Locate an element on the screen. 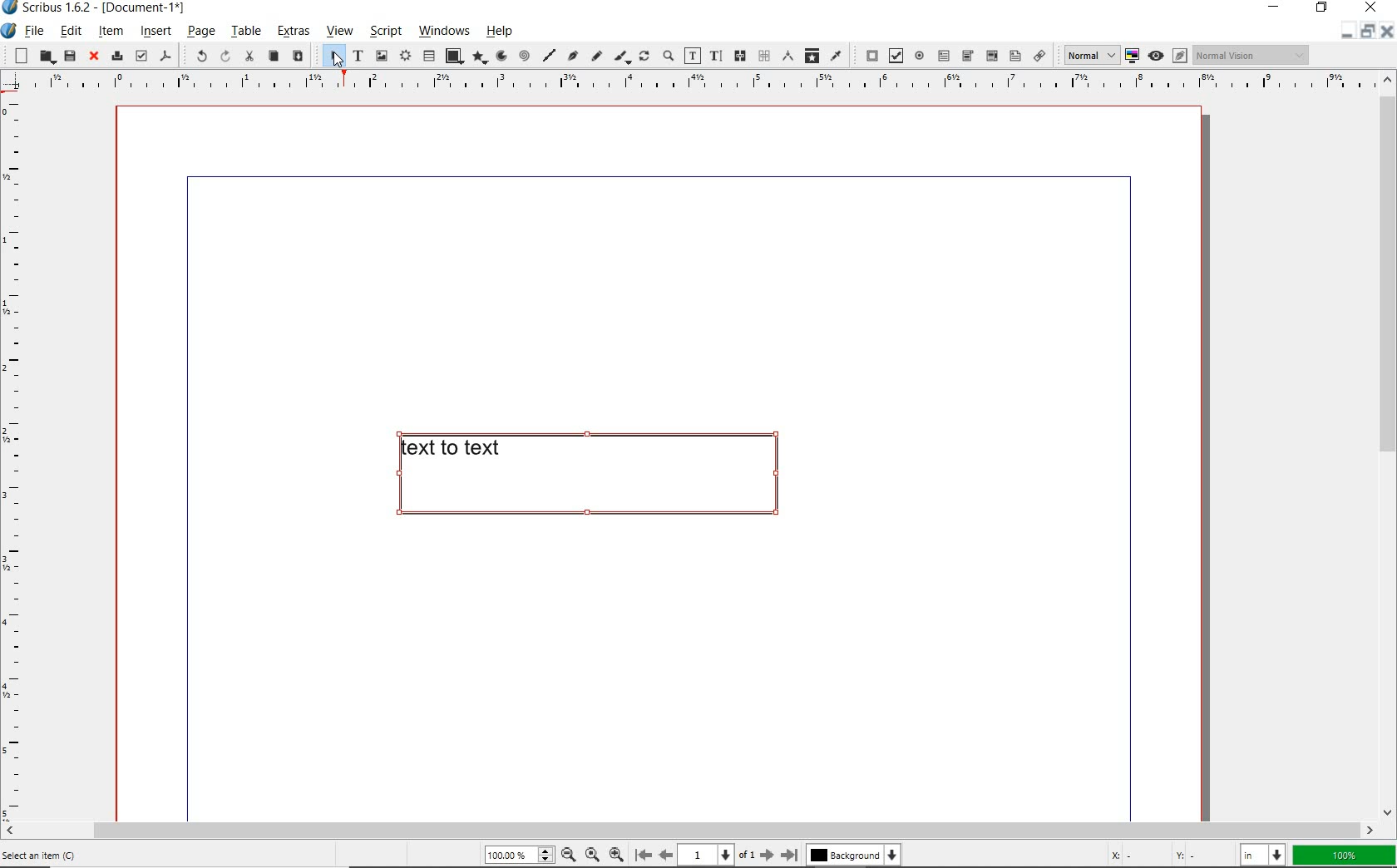  Select an item (C) is located at coordinates (43, 855).